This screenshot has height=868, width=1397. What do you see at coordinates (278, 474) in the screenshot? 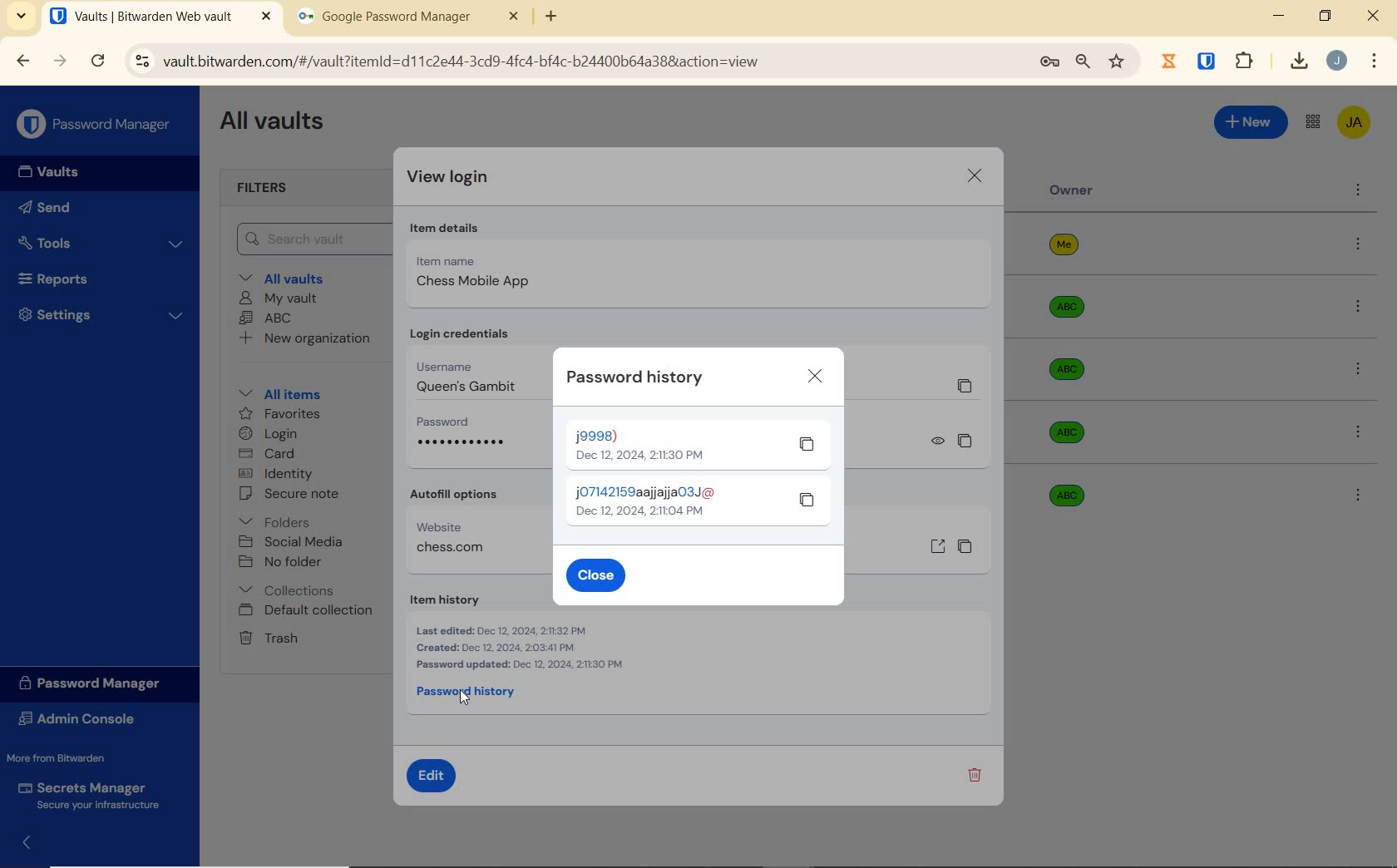
I see `identity` at bounding box center [278, 474].